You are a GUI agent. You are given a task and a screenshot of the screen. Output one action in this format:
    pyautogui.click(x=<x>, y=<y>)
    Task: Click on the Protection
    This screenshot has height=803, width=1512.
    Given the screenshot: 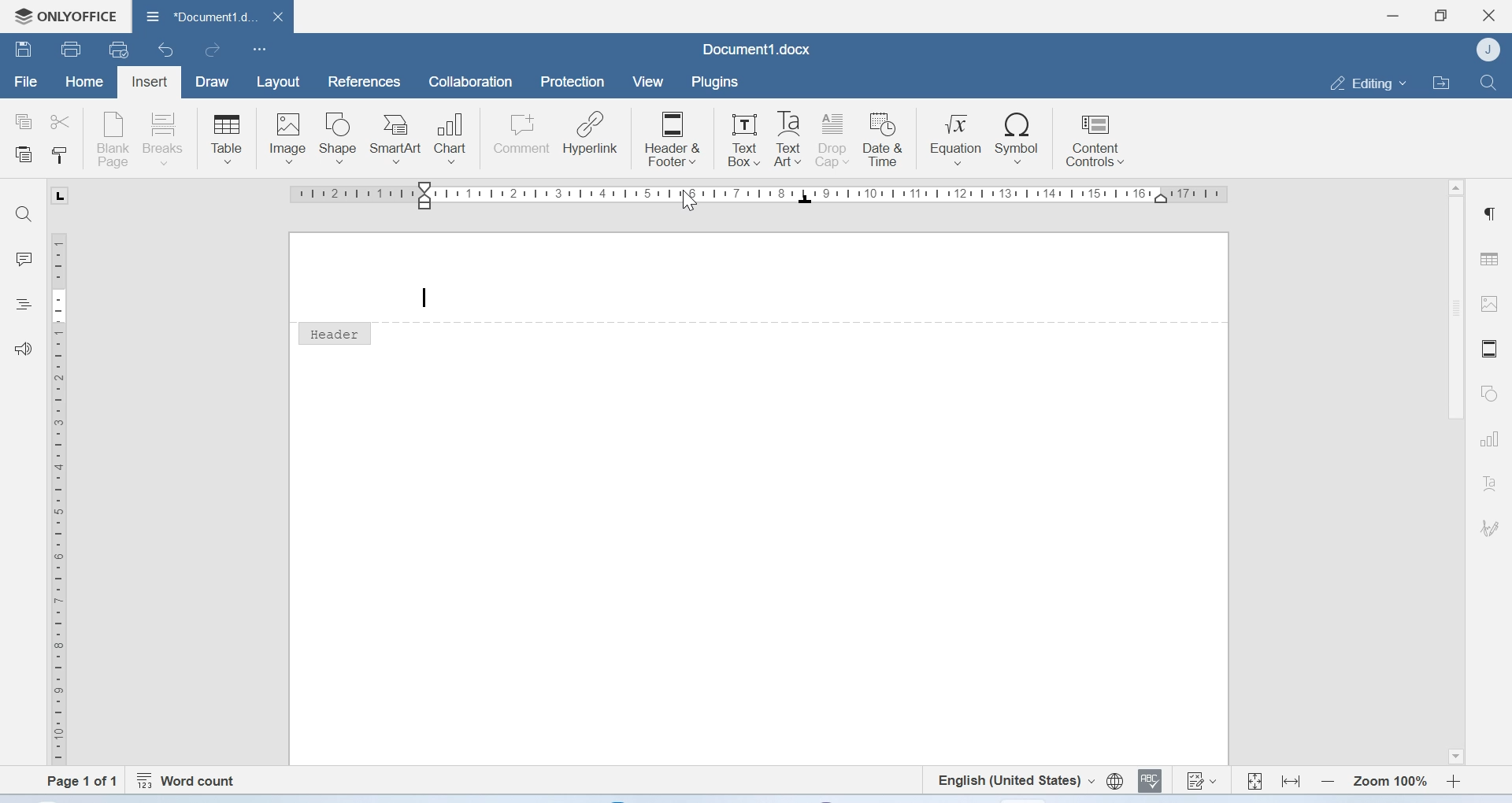 What is the action you would take?
    pyautogui.click(x=574, y=83)
    